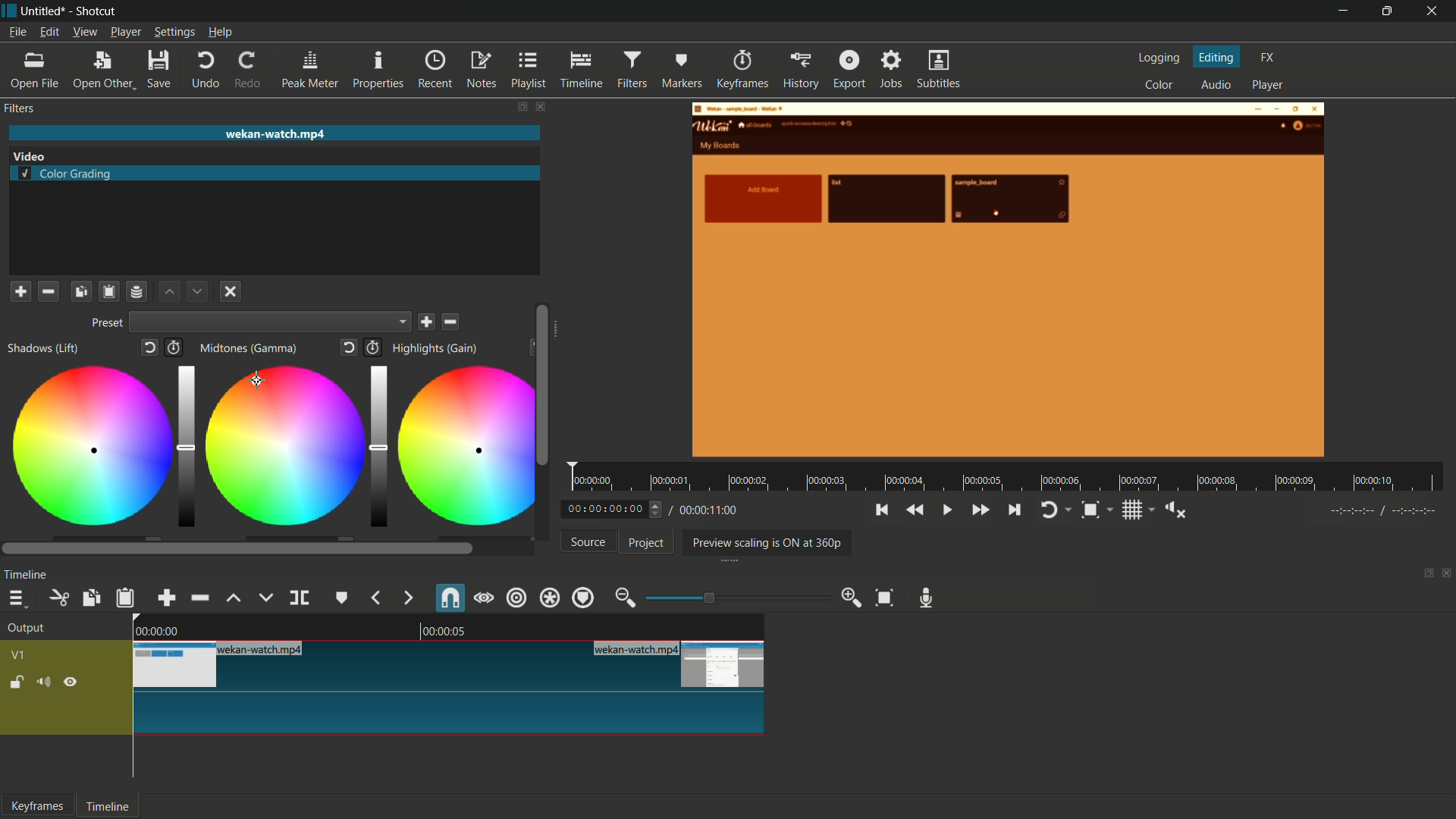  Describe the element at coordinates (406, 598) in the screenshot. I see `next marker` at that location.